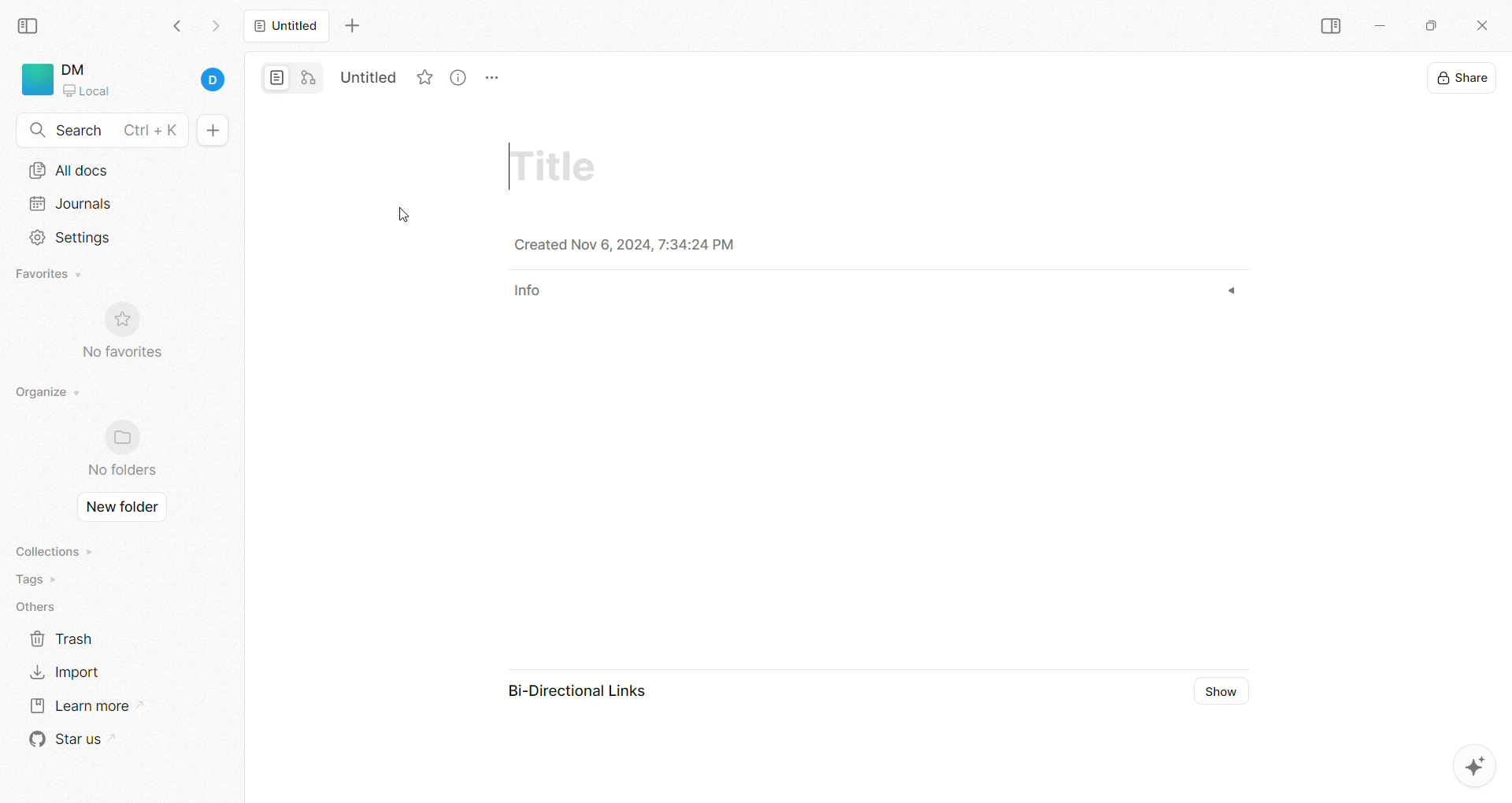  Describe the element at coordinates (493, 69) in the screenshot. I see `options` at that location.